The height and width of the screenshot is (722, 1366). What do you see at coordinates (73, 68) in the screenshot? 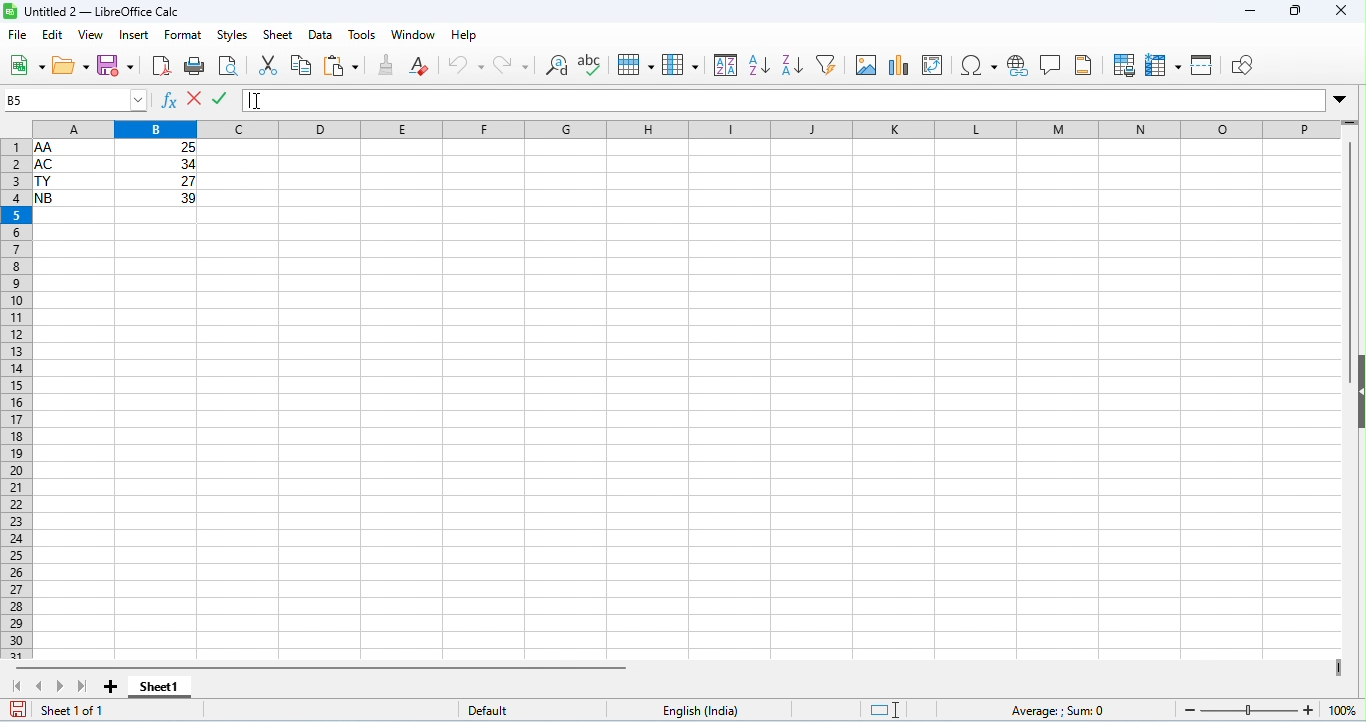
I see `open` at bounding box center [73, 68].